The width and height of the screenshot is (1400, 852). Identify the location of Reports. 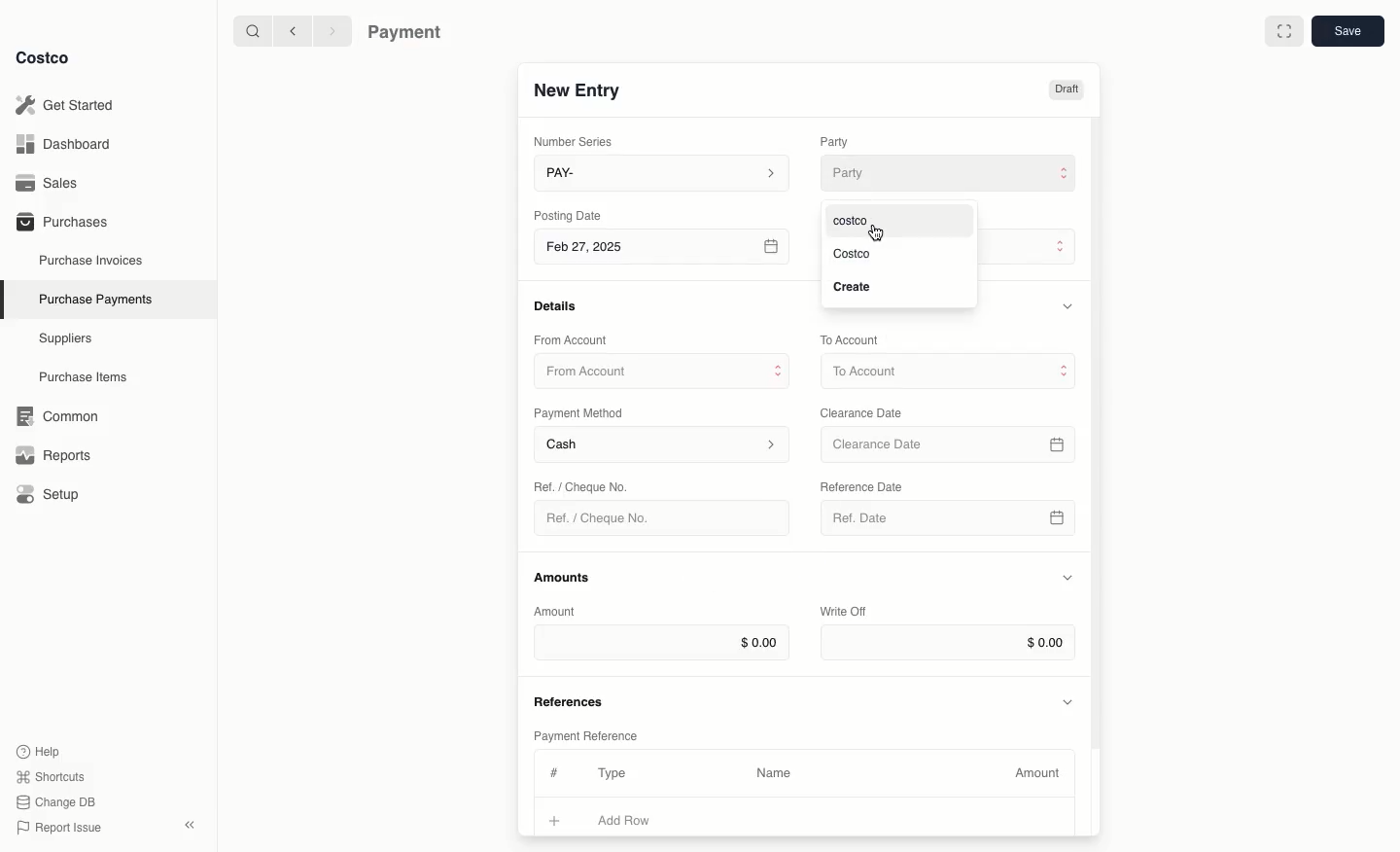
(51, 452).